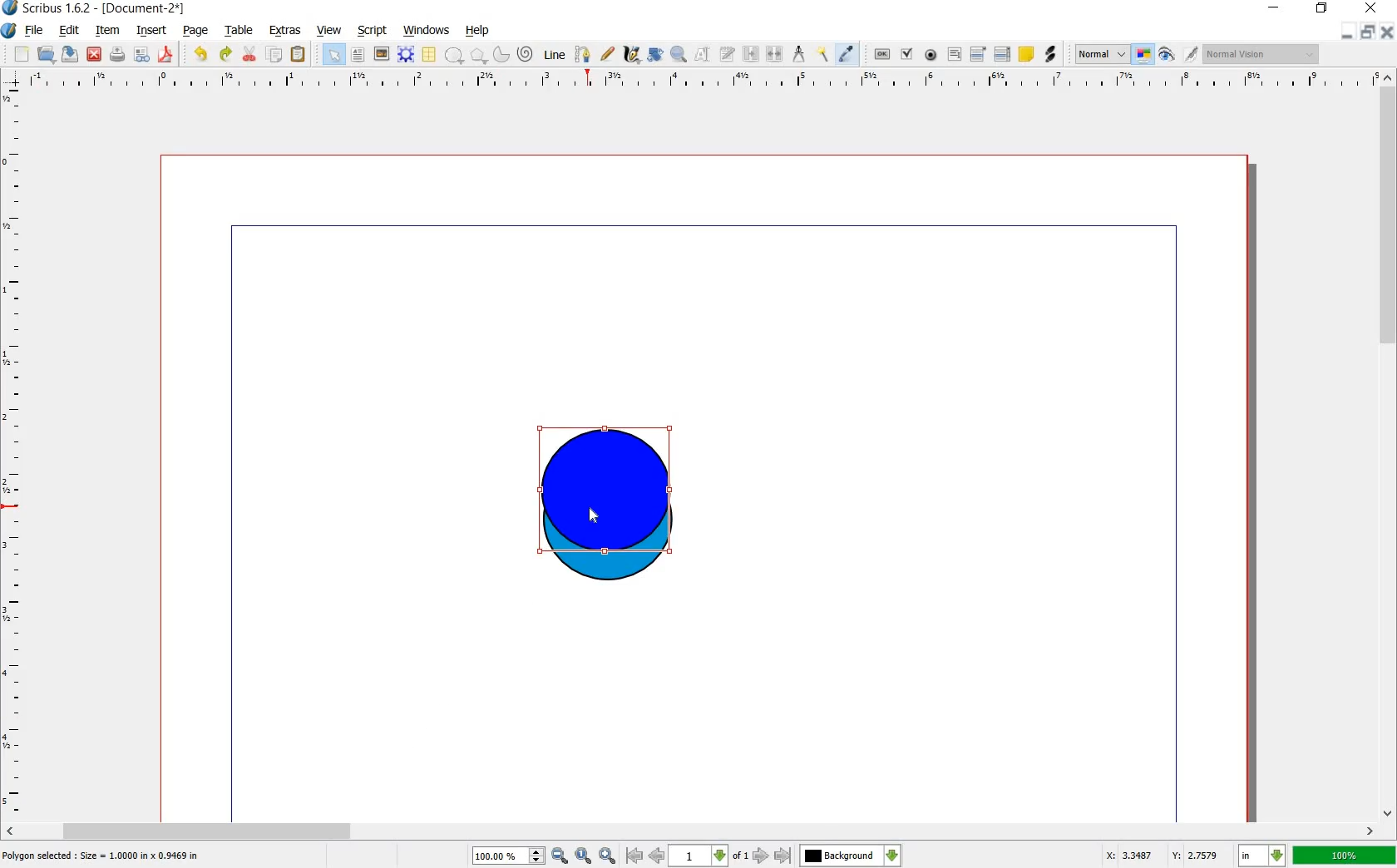  What do you see at coordinates (72, 32) in the screenshot?
I see `edit` at bounding box center [72, 32].